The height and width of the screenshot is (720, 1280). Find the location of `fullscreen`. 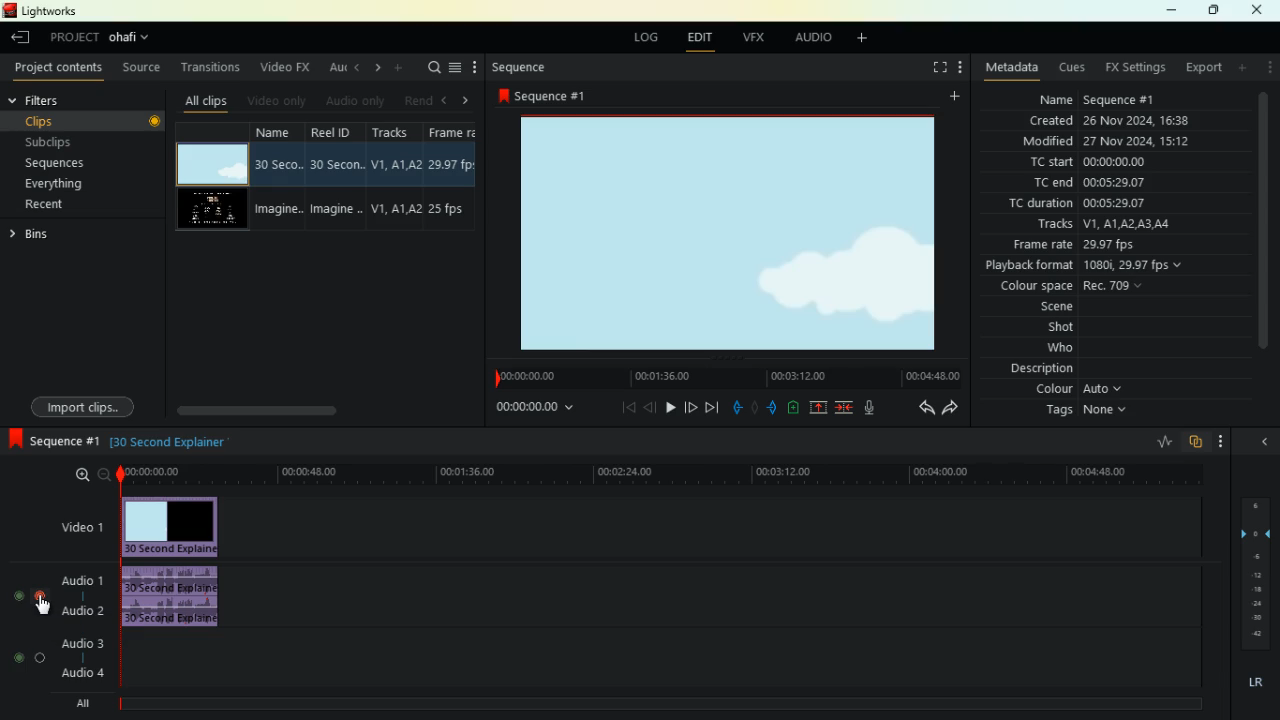

fullscreen is located at coordinates (930, 66).